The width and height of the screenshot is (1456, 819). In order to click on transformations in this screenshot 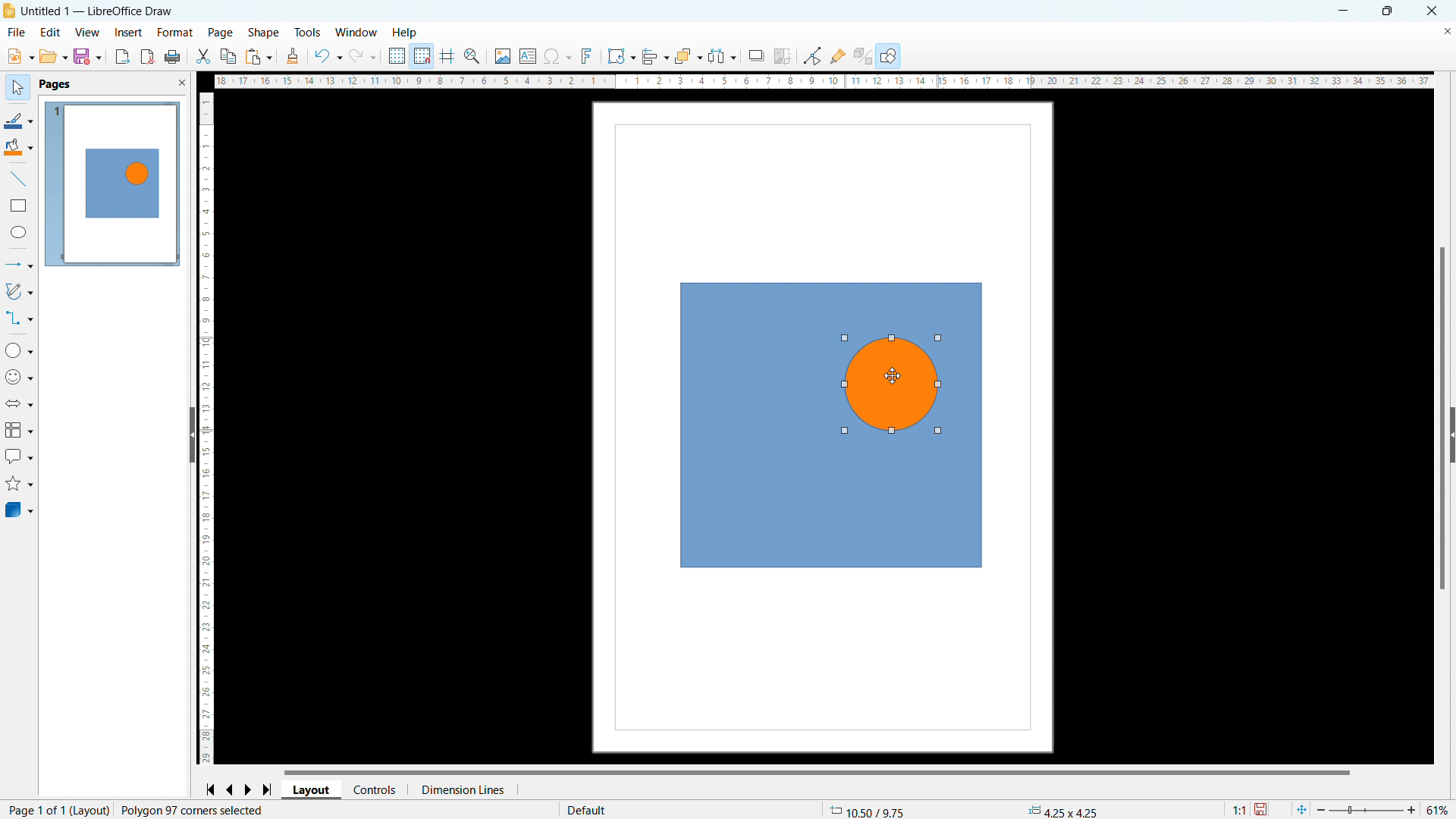, I will do `click(620, 56)`.